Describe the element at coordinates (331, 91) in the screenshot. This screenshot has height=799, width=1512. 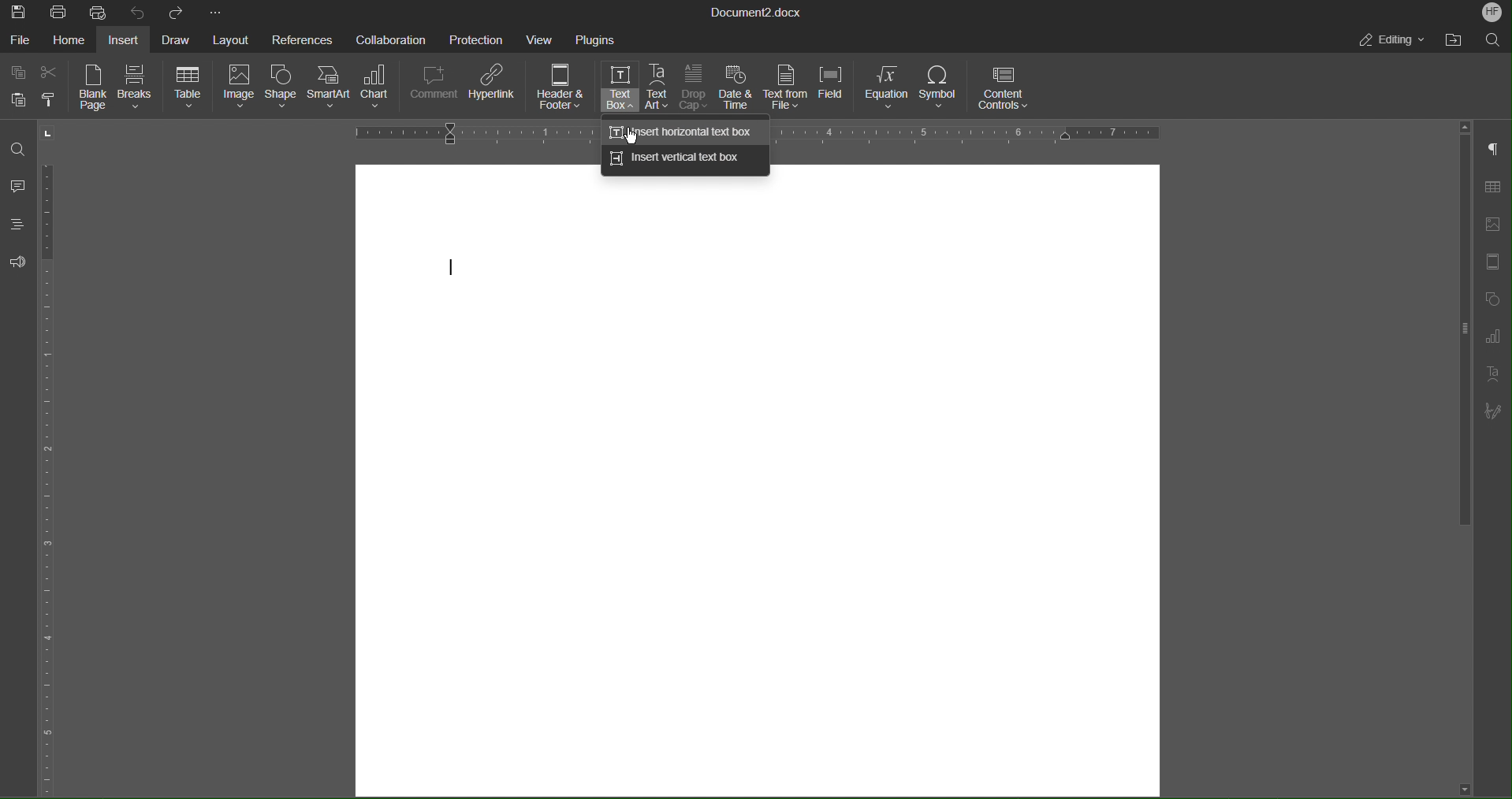
I see `SmartArt` at that location.